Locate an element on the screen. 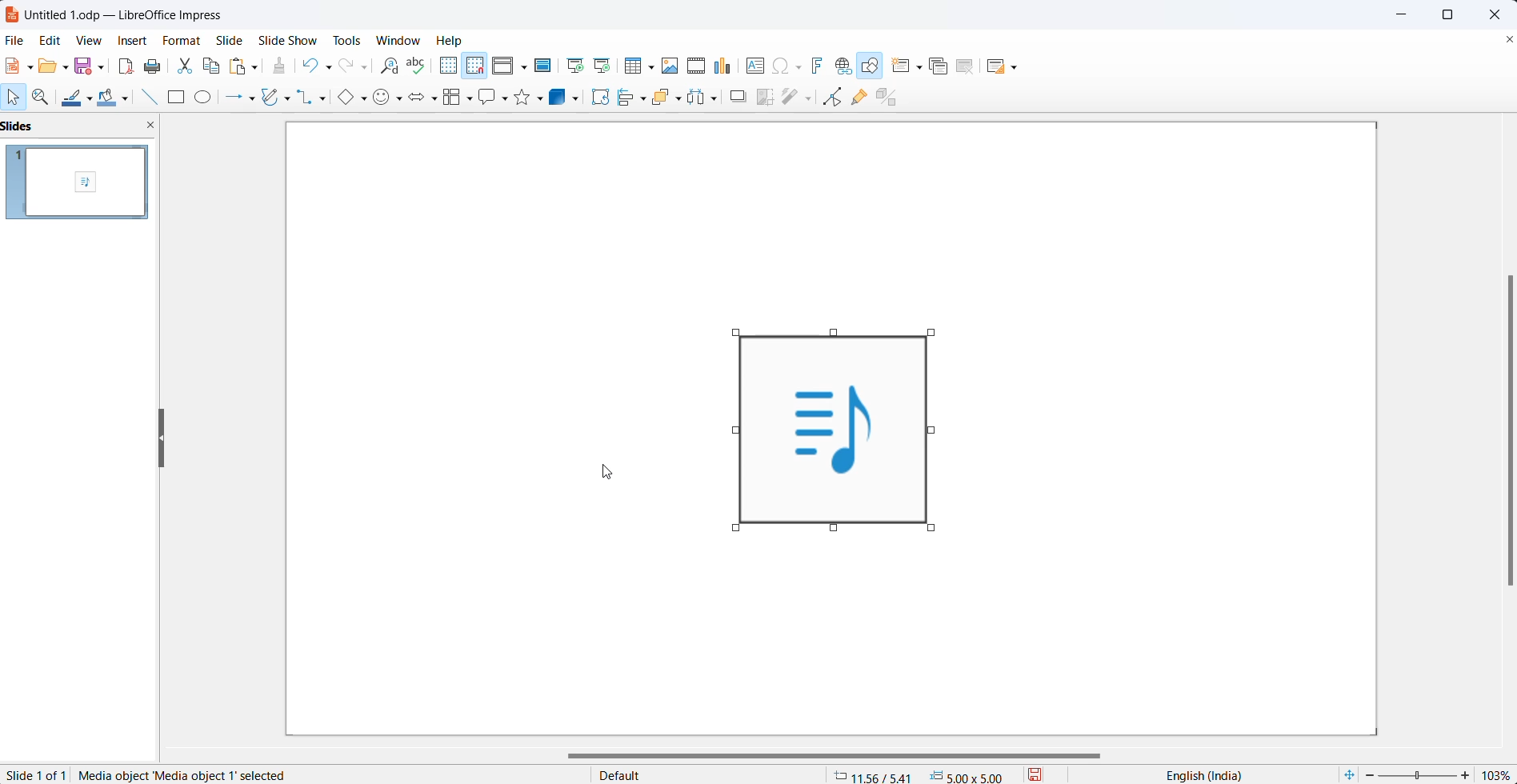 Image resolution: width=1517 pixels, height=784 pixels. horizontal scroll  bar is located at coordinates (836, 756).